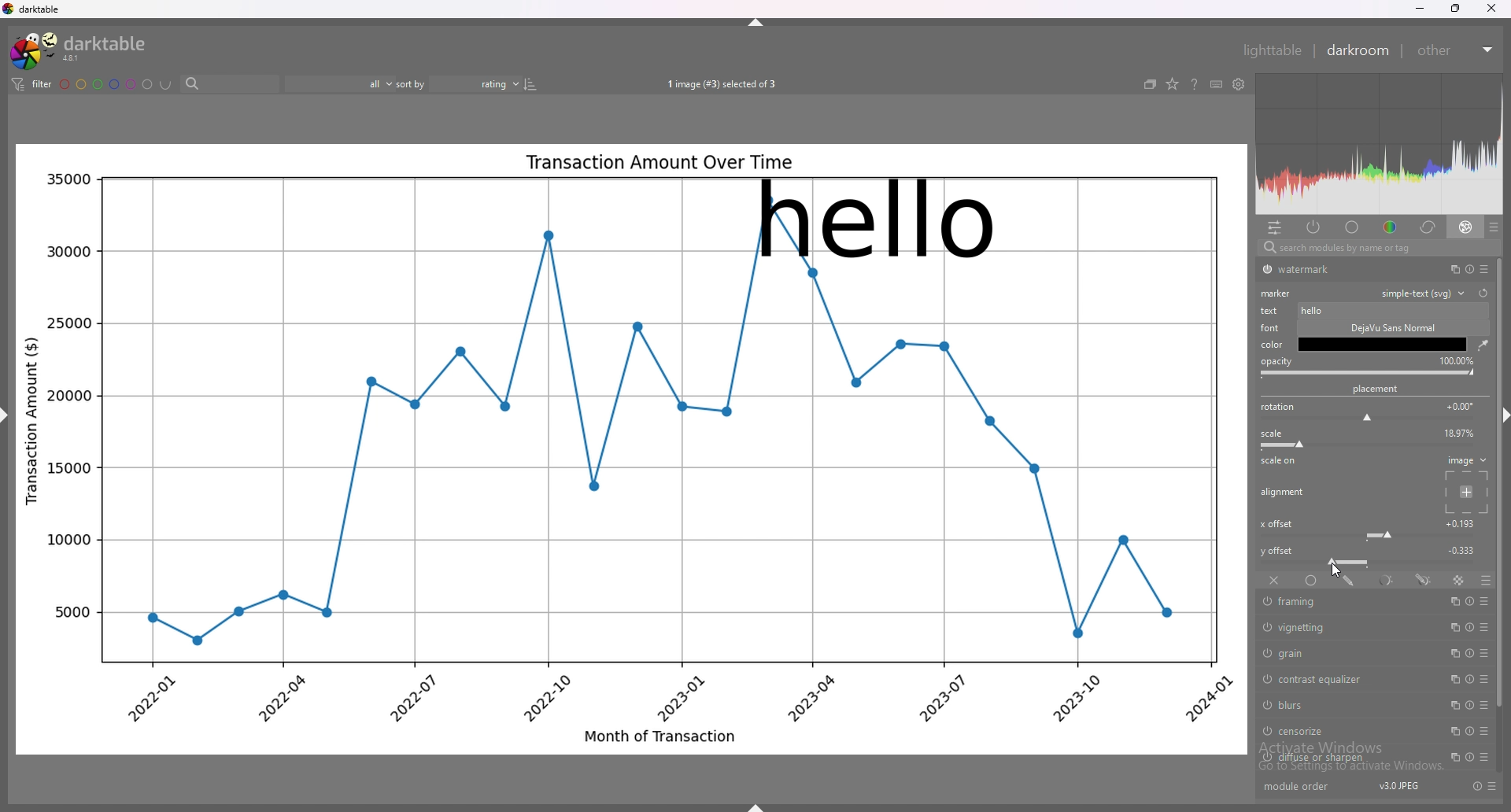 This screenshot has width=1511, height=812. I want to click on color labels, so click(106, 83).